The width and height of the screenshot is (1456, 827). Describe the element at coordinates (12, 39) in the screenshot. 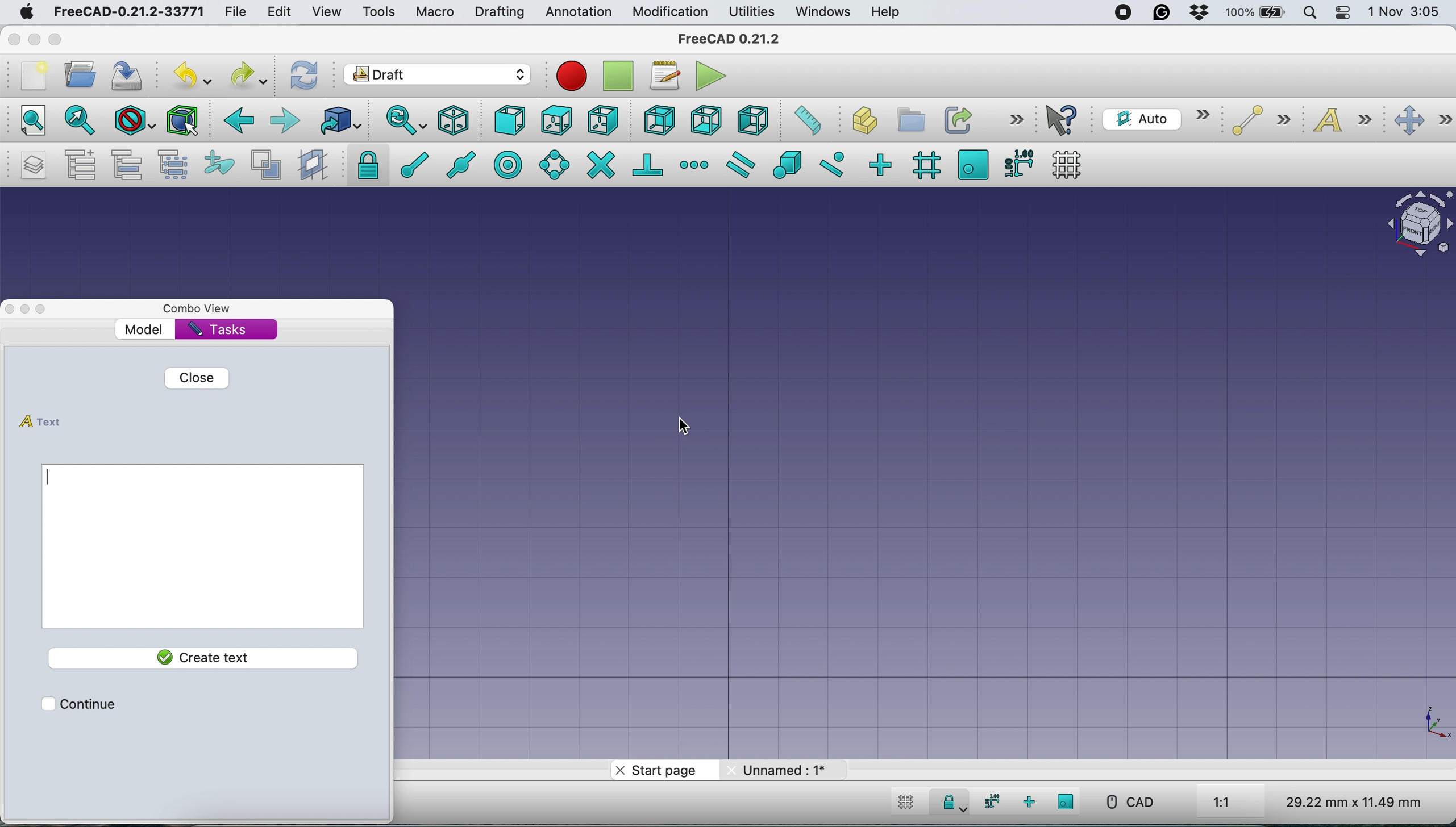

I see `close` at that location.